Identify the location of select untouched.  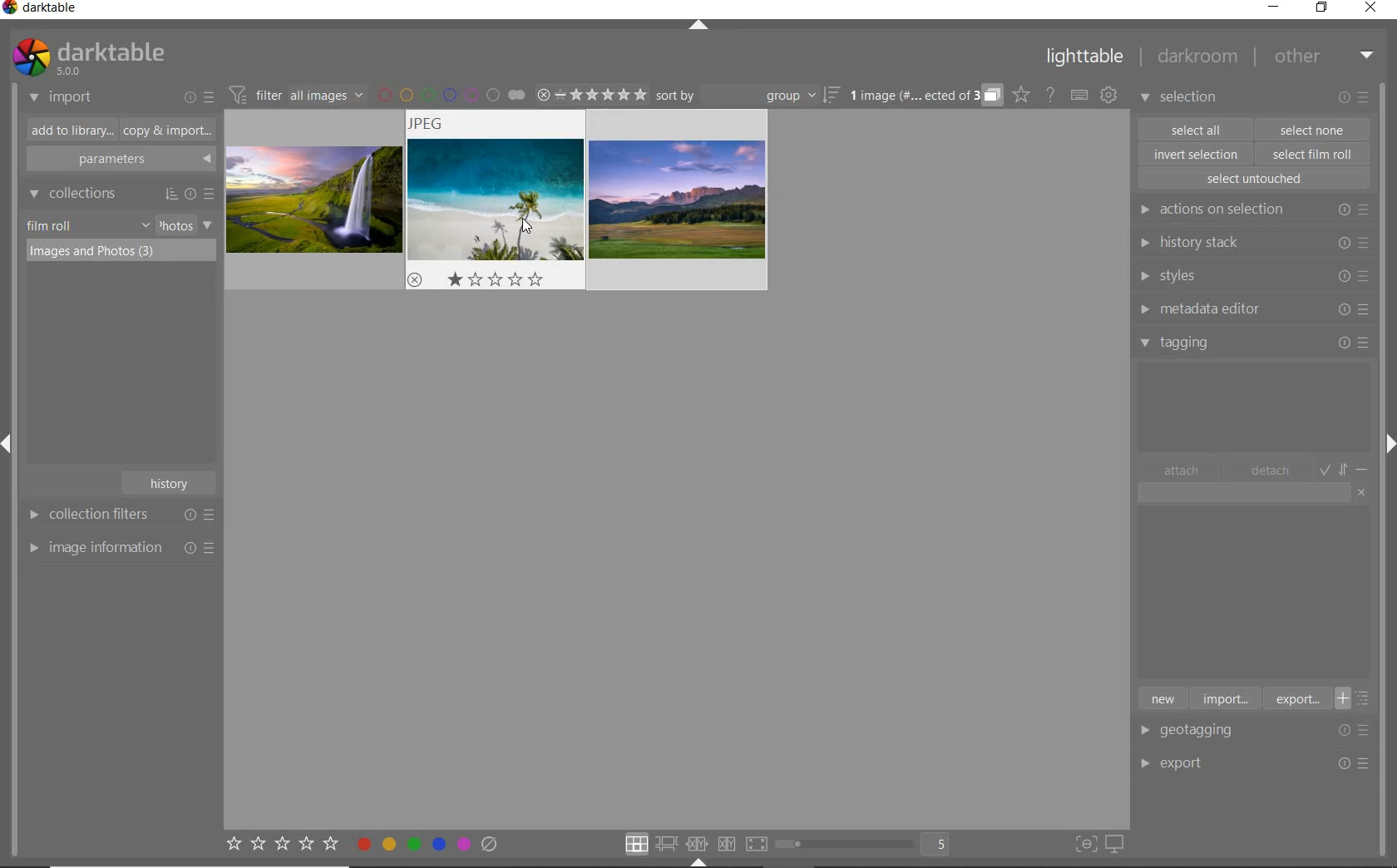
(1253, 179).